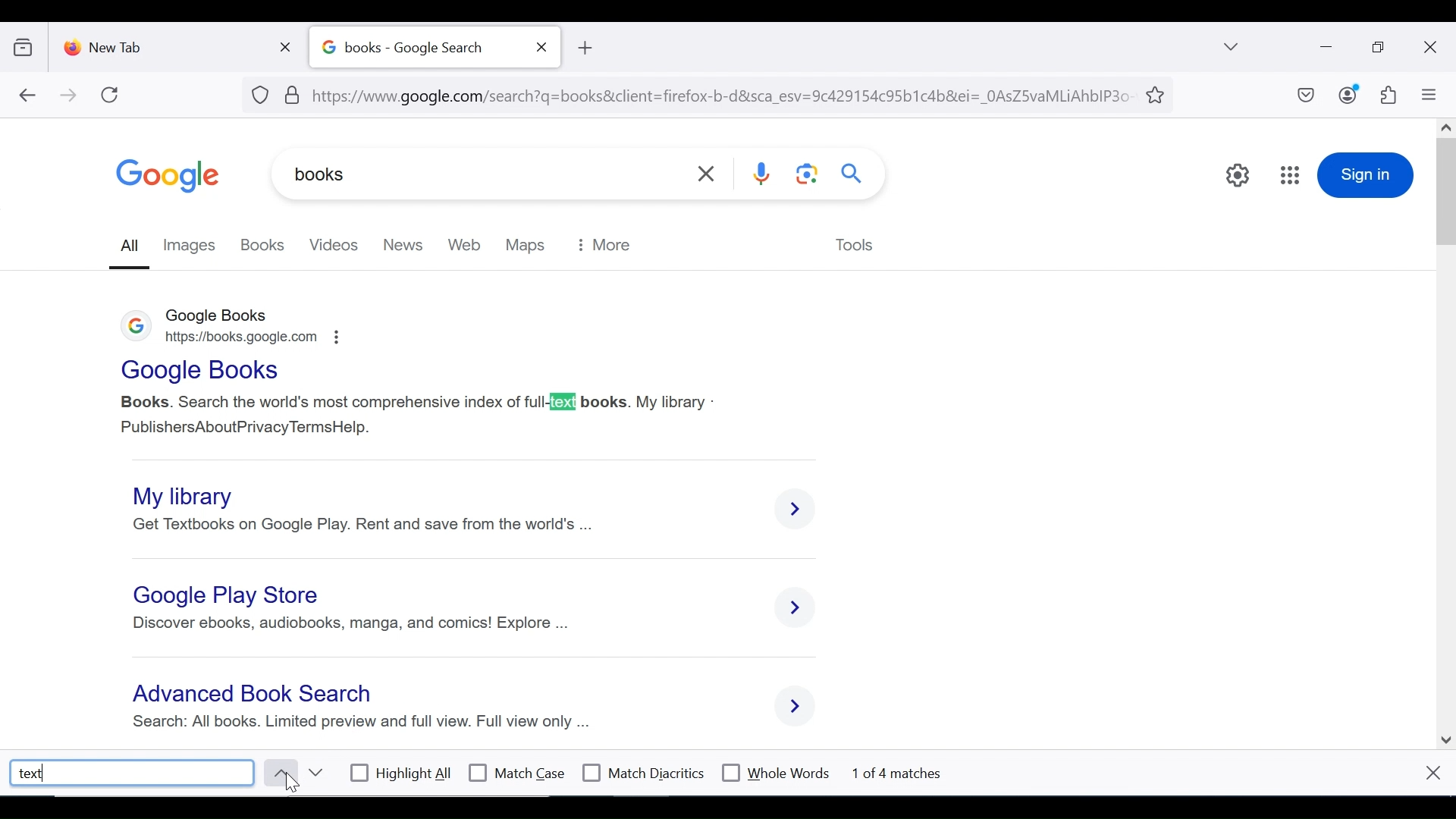 The height and width of the screenshot is (819, 1456). I want to click on voice search, so click(764, 176).